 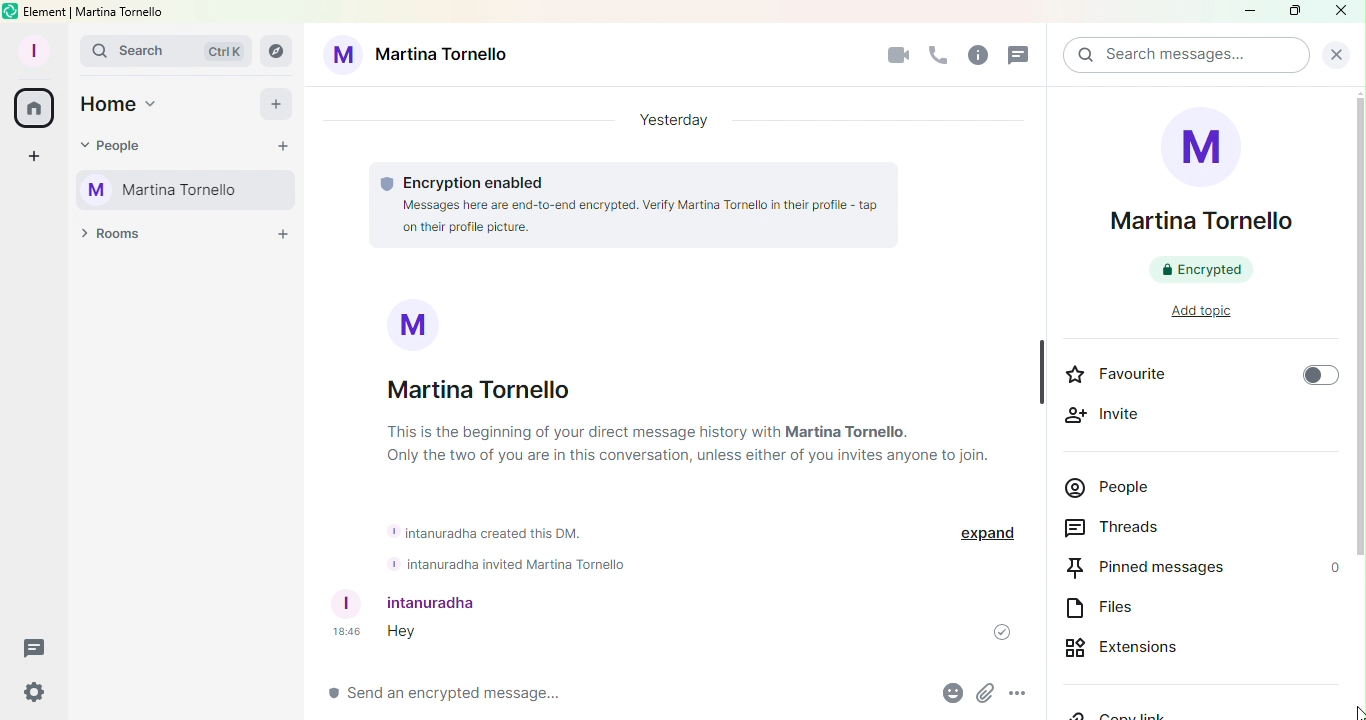 I want to click on Home , so click(x=124, y=106).